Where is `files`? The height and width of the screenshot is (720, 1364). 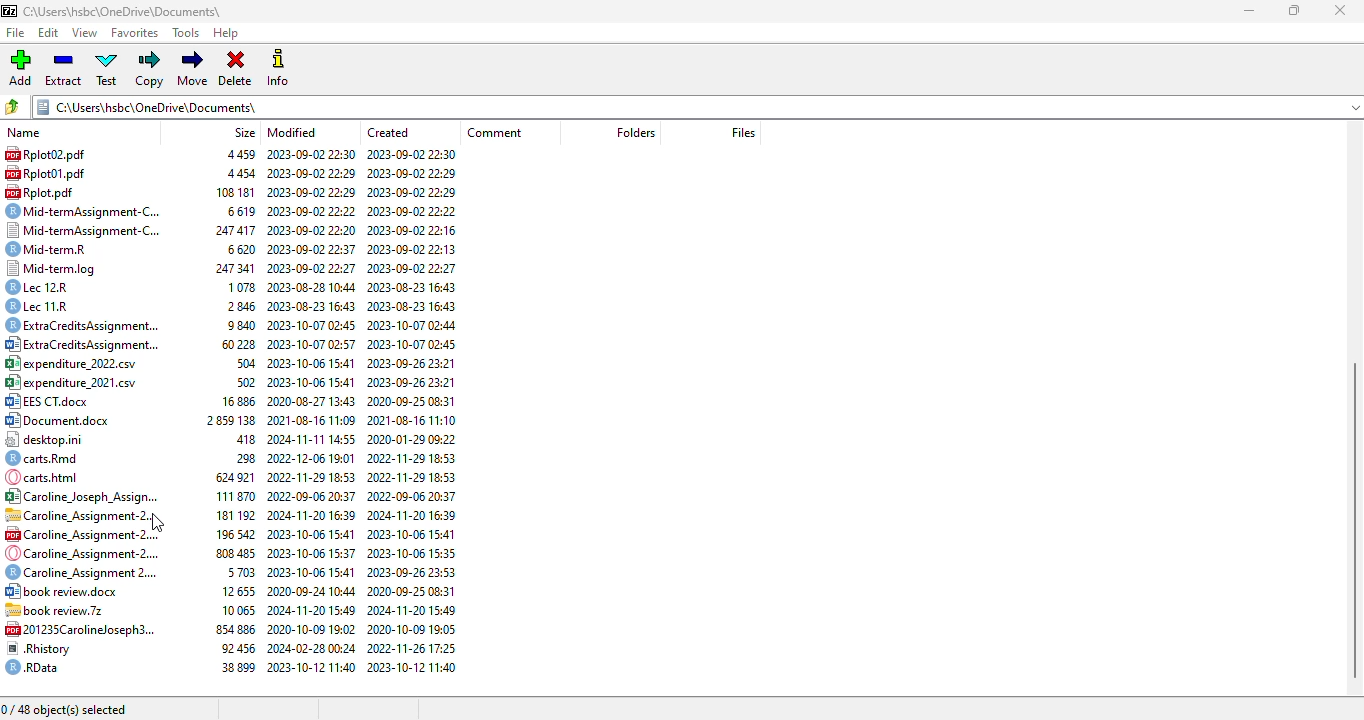
files is located at coordinates (744, 132).